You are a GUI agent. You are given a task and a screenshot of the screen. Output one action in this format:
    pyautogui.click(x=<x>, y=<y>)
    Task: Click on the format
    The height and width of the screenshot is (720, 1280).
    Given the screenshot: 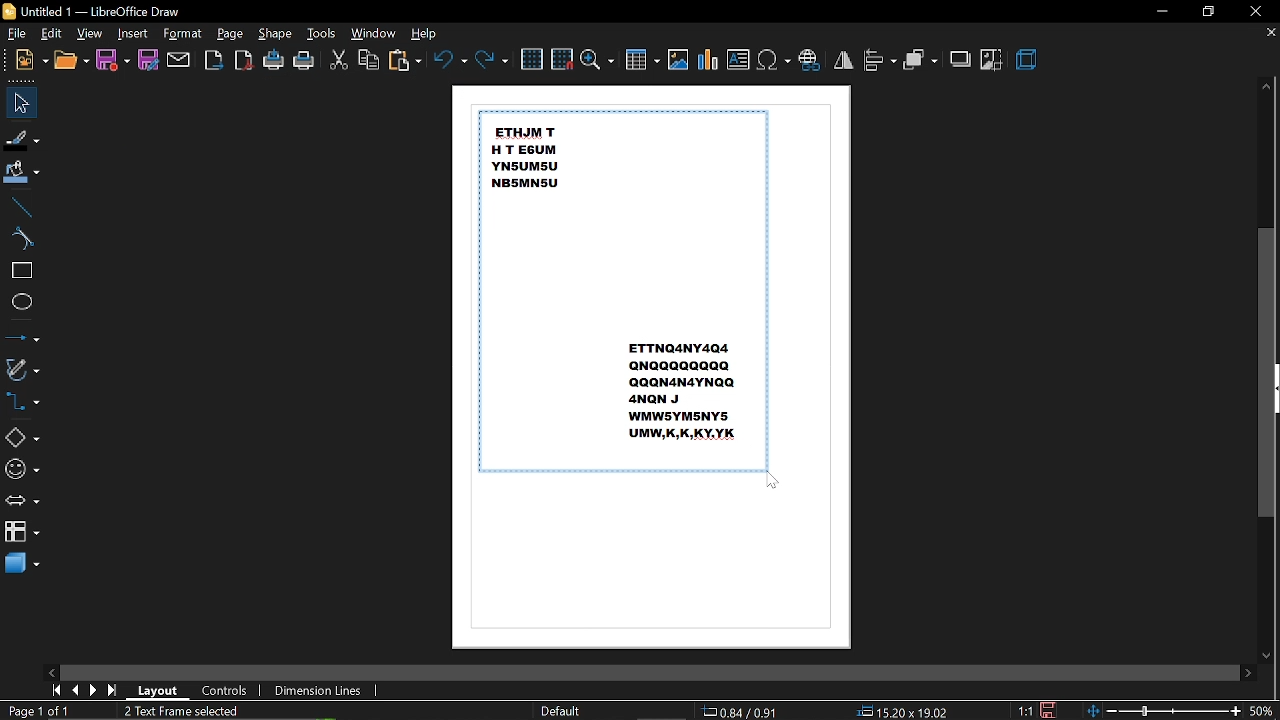 What is the action you would take?
    pyautogui.click(x=183, y=34)
    